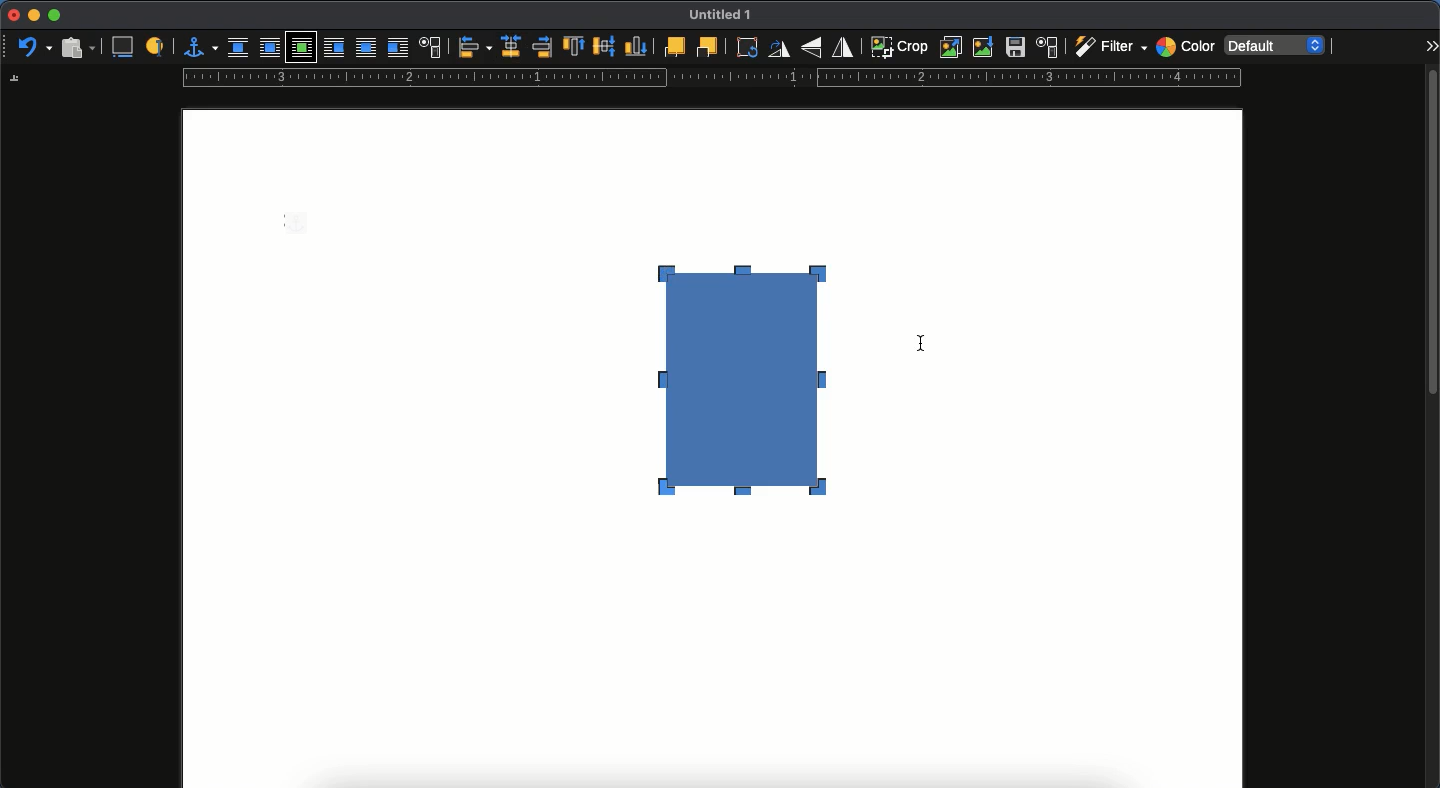  I want to click on optimal, so click(300, 49).